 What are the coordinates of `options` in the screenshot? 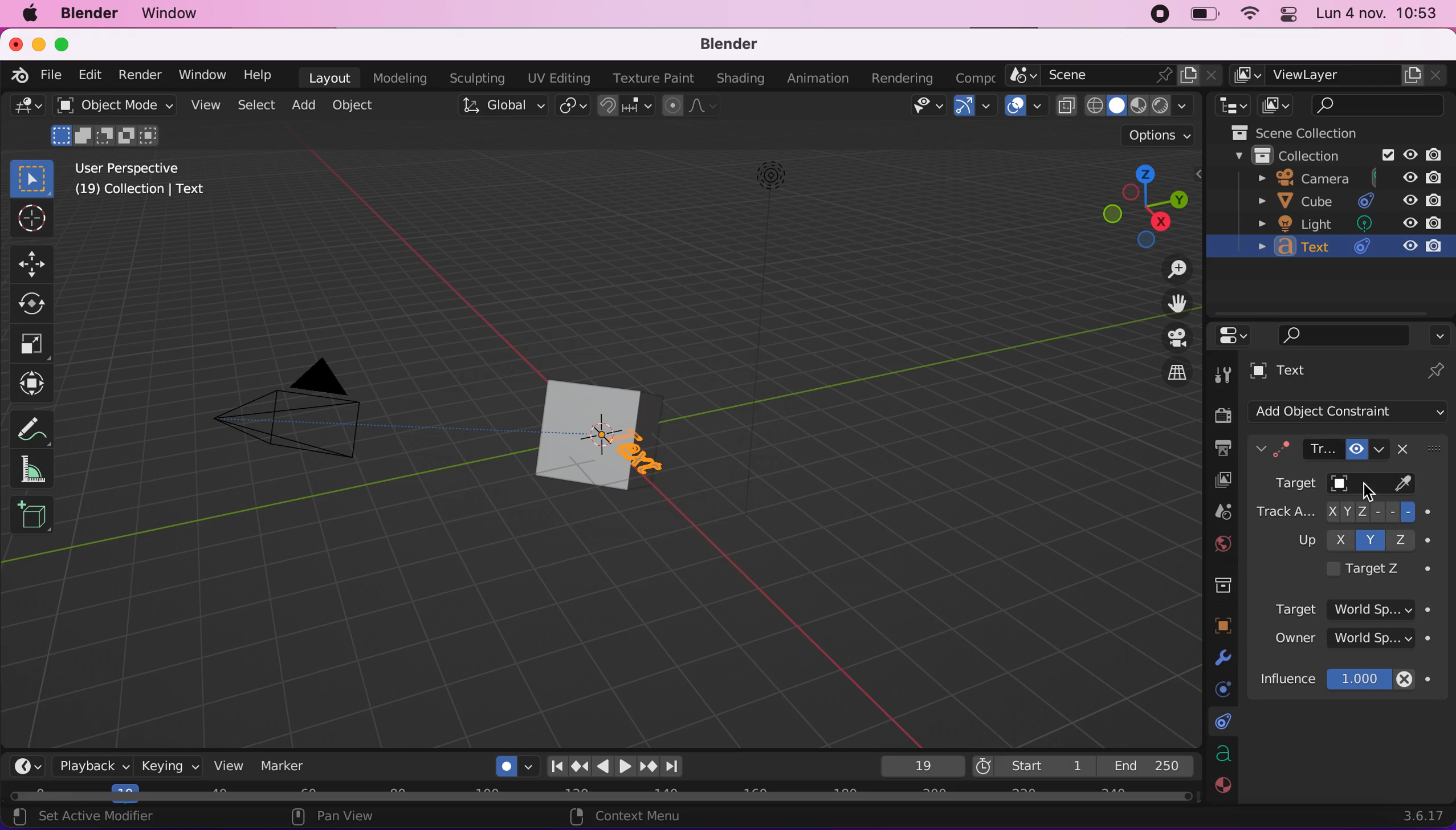 It's located at (1441, 332).